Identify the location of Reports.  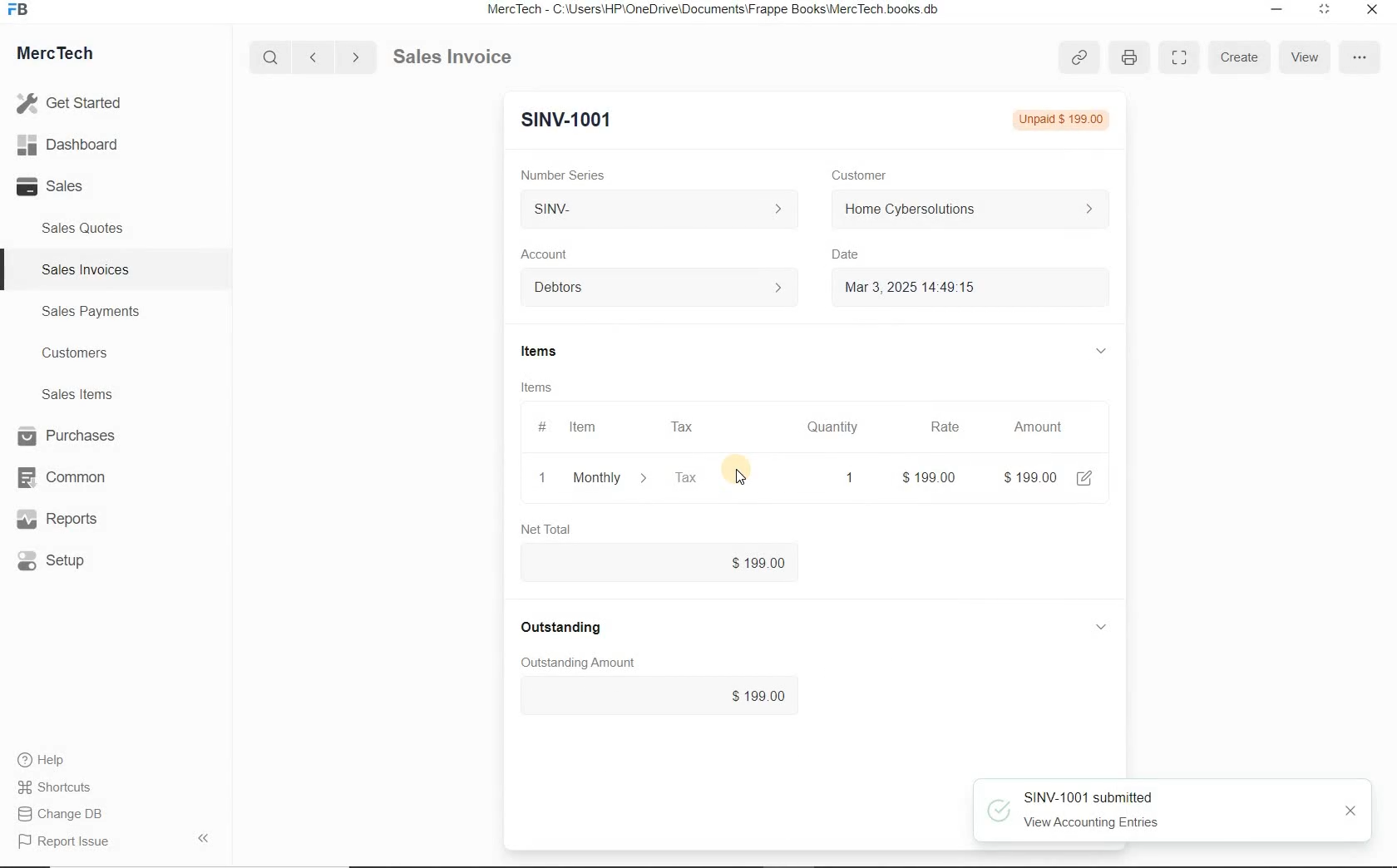
(70, 520).